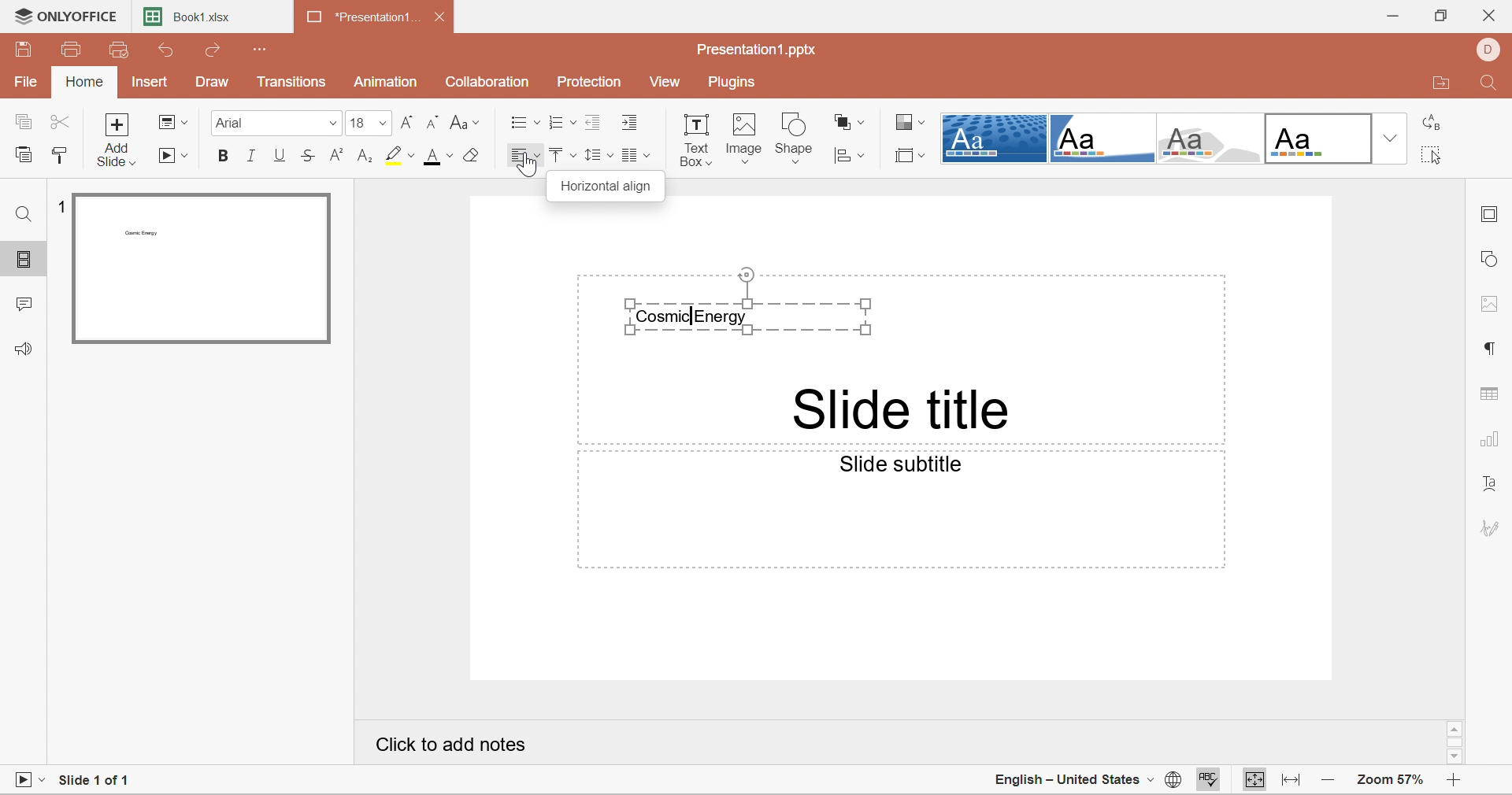  What do you see at coordinates (337, 156) in the screenshot?
I see `Superscript` at bounding box center [337, 156].